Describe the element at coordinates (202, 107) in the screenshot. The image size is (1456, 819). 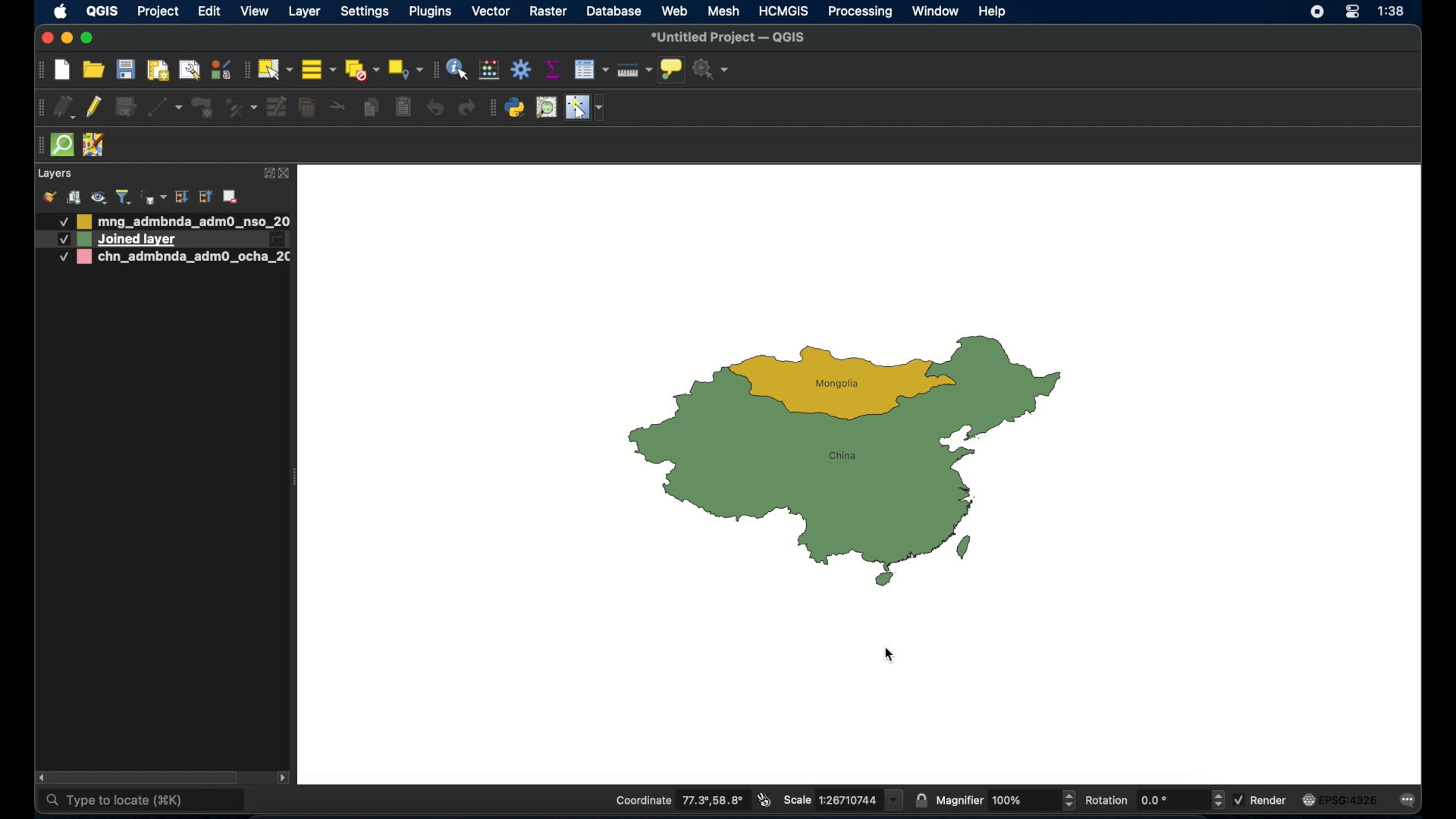
I see `add polygon feature` at that location.